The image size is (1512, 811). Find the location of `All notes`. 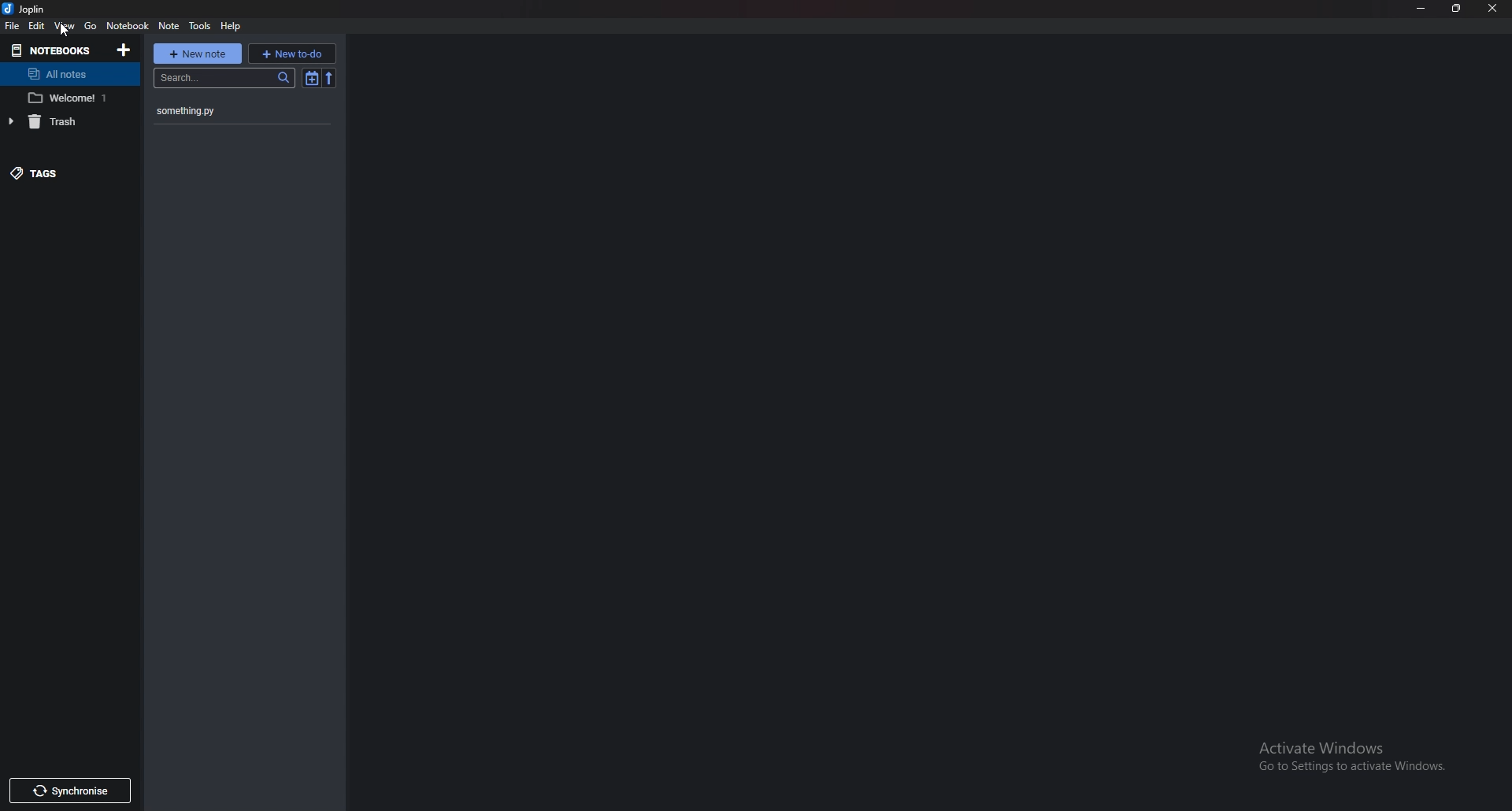

All notes is located at coordinates (71, 73).